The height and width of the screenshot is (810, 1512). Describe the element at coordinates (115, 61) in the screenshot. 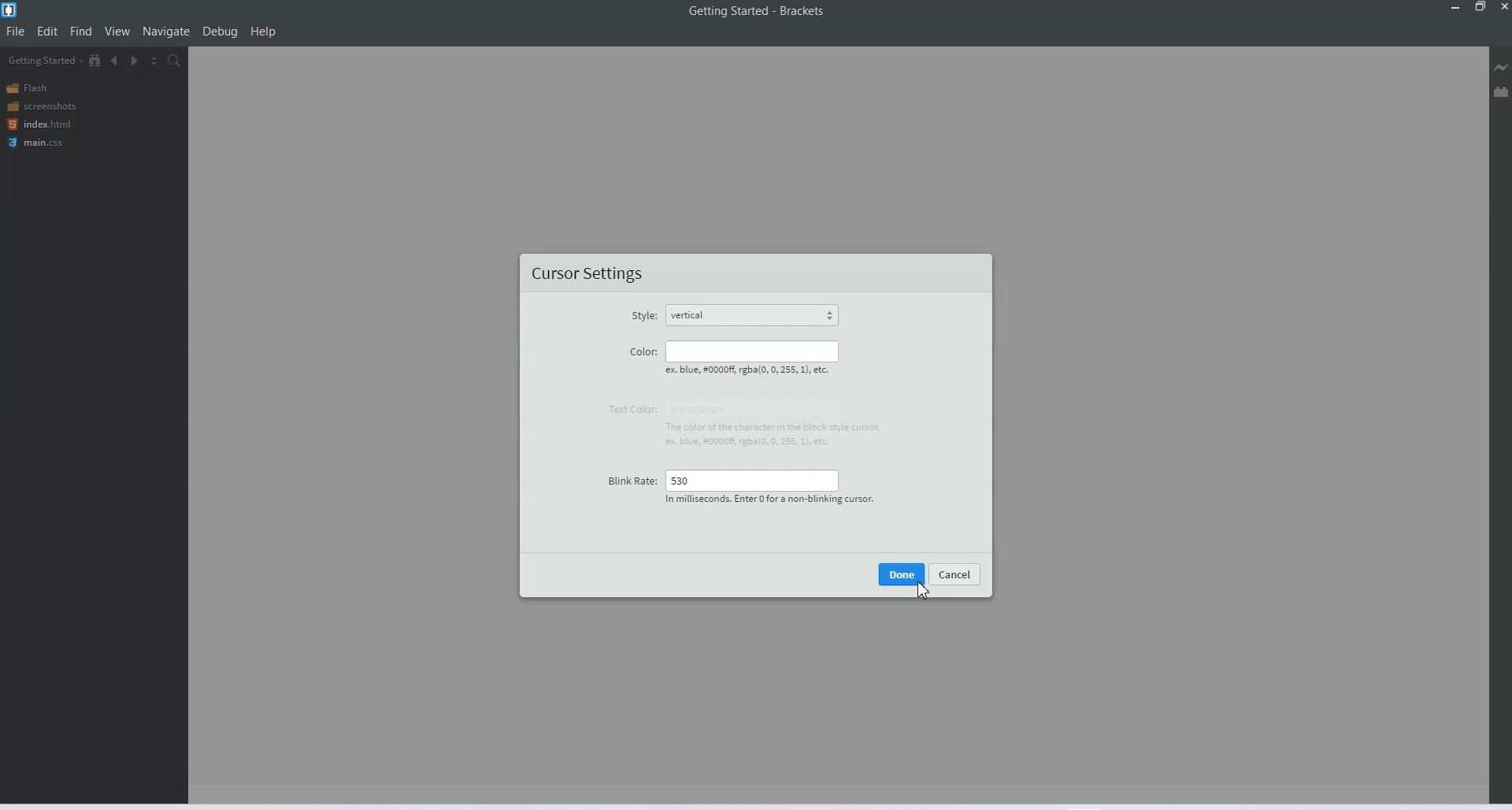

I see `Navigate Backwards` at that location.